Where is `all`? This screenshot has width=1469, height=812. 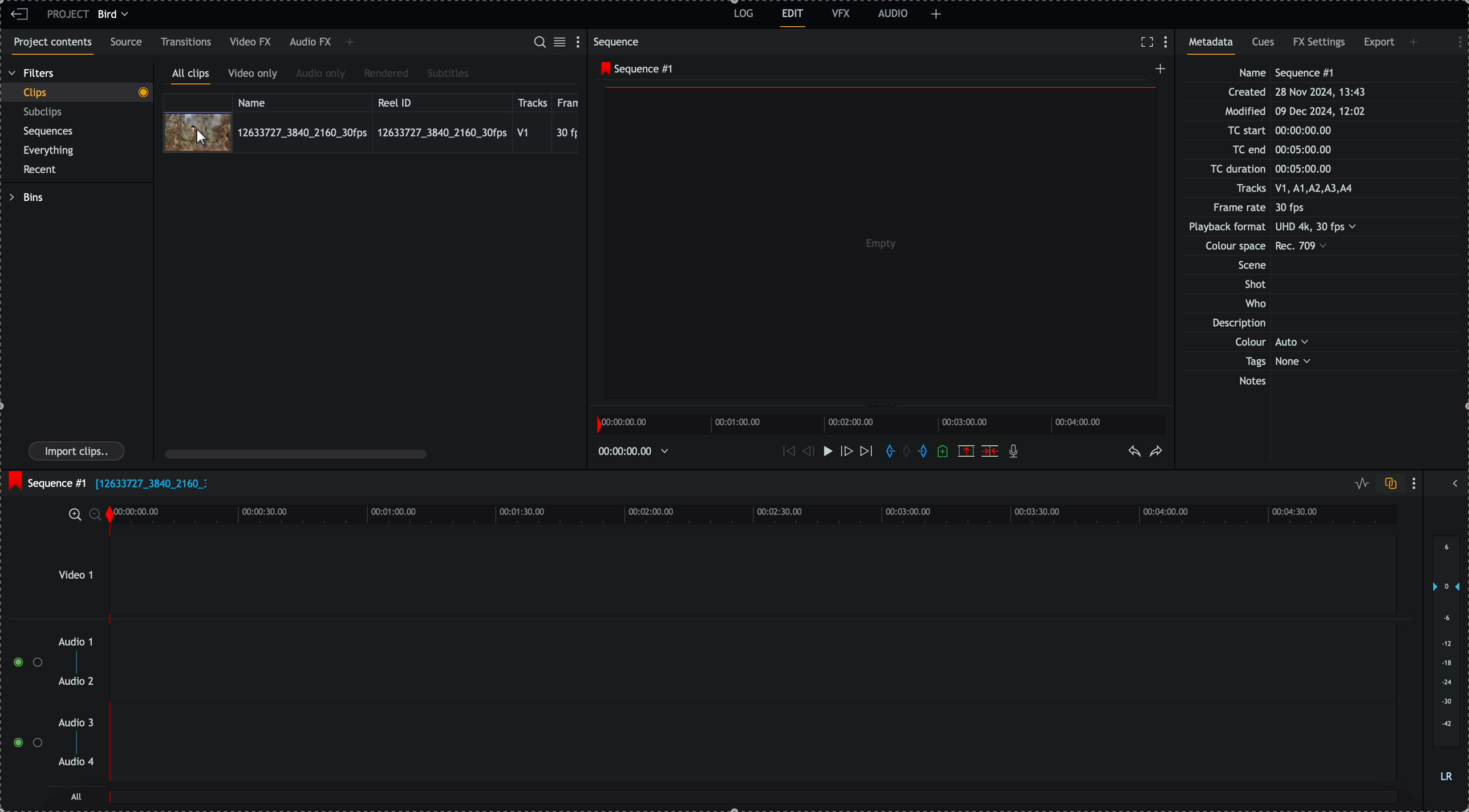
all is located at coordinates (754, 802).